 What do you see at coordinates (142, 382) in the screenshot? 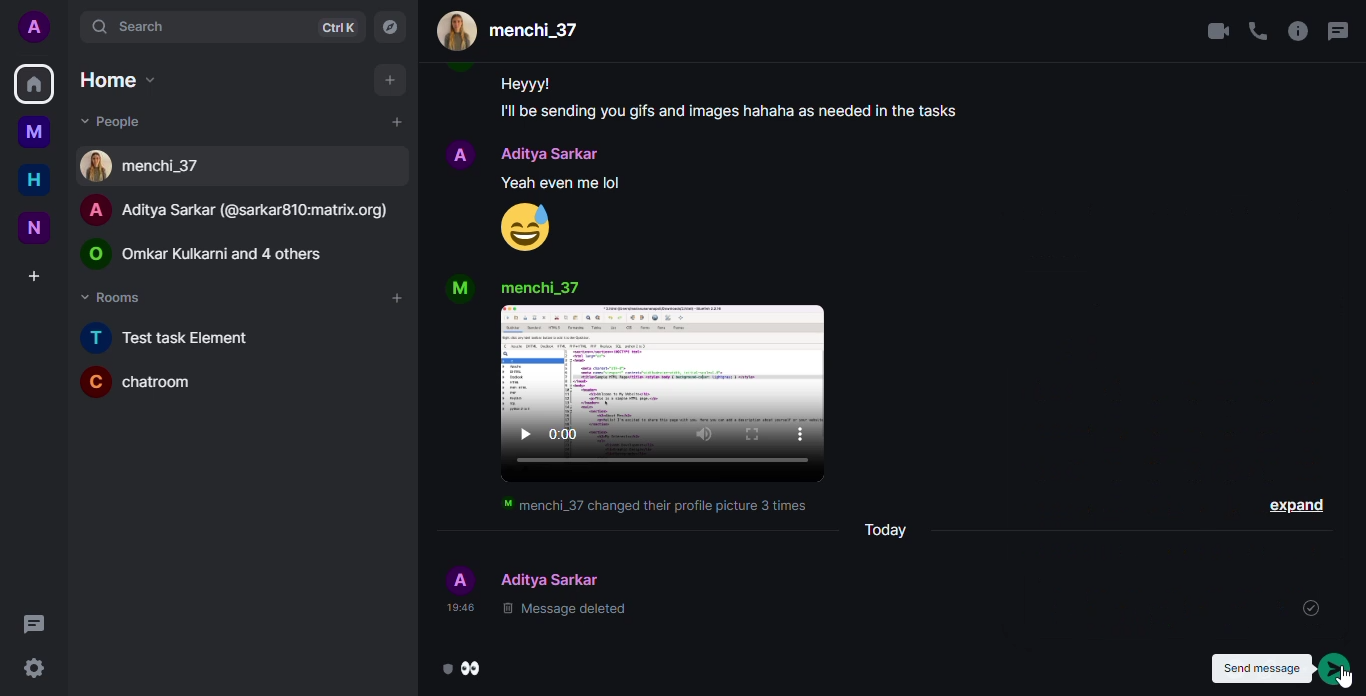
I see `chatroom` at bounding box center [142, 382].